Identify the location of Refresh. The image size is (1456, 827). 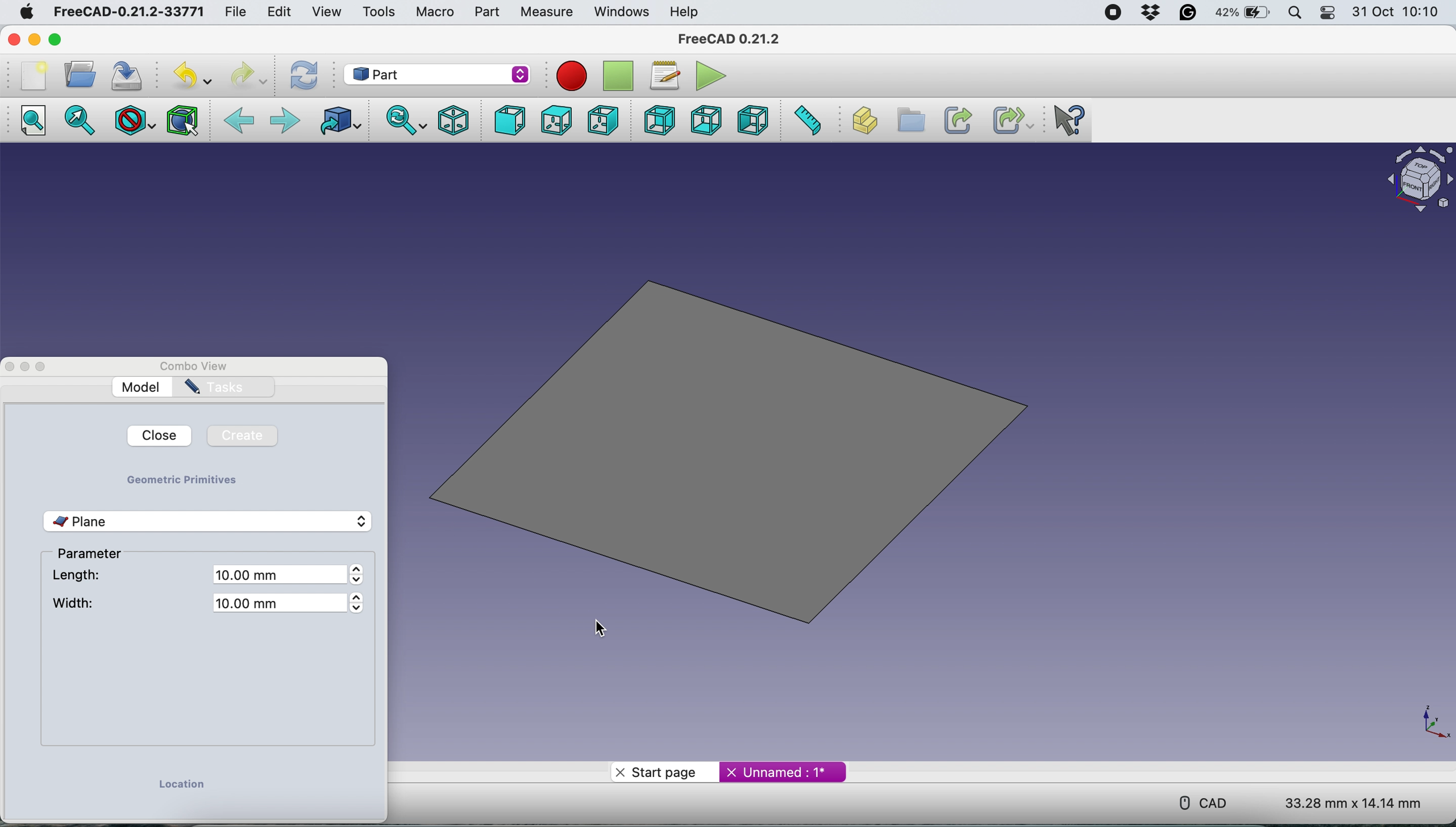
(304, 76).